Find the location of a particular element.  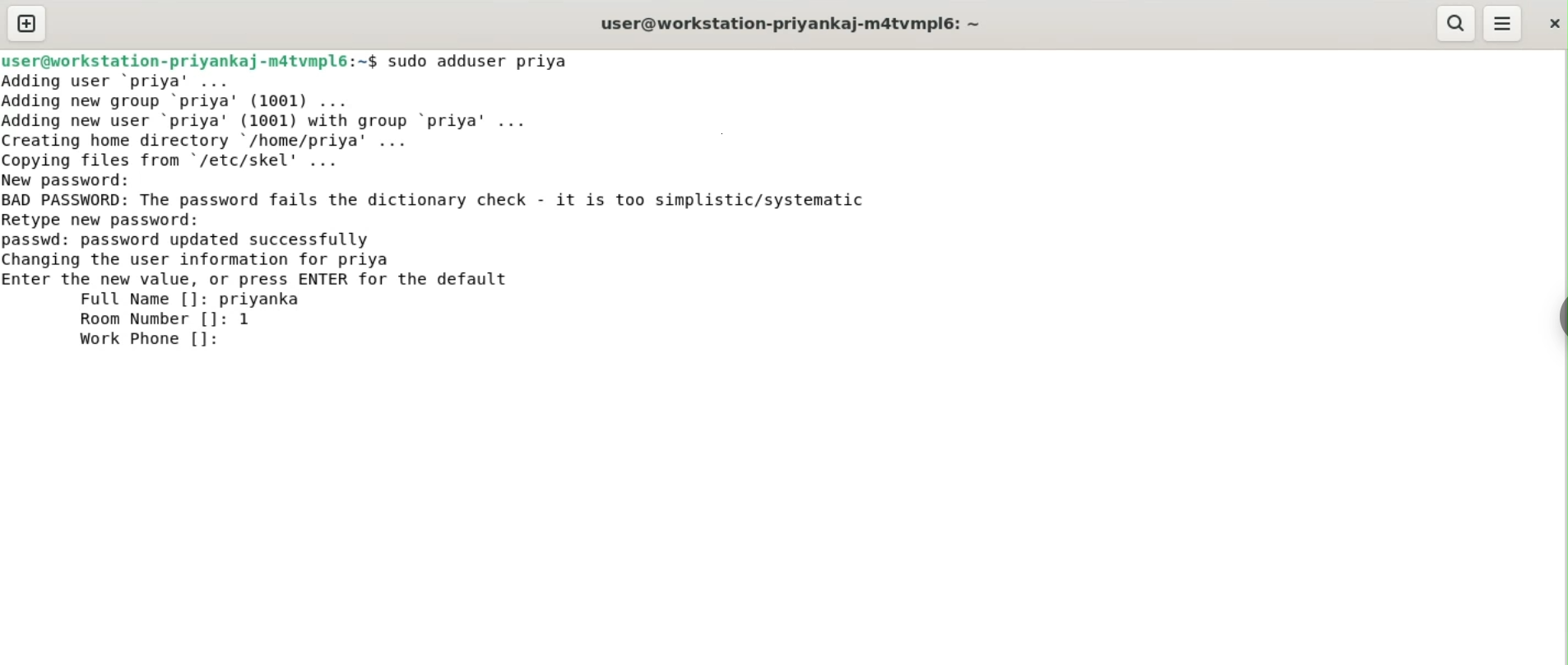

new tab is located at coordinates (27, 23).